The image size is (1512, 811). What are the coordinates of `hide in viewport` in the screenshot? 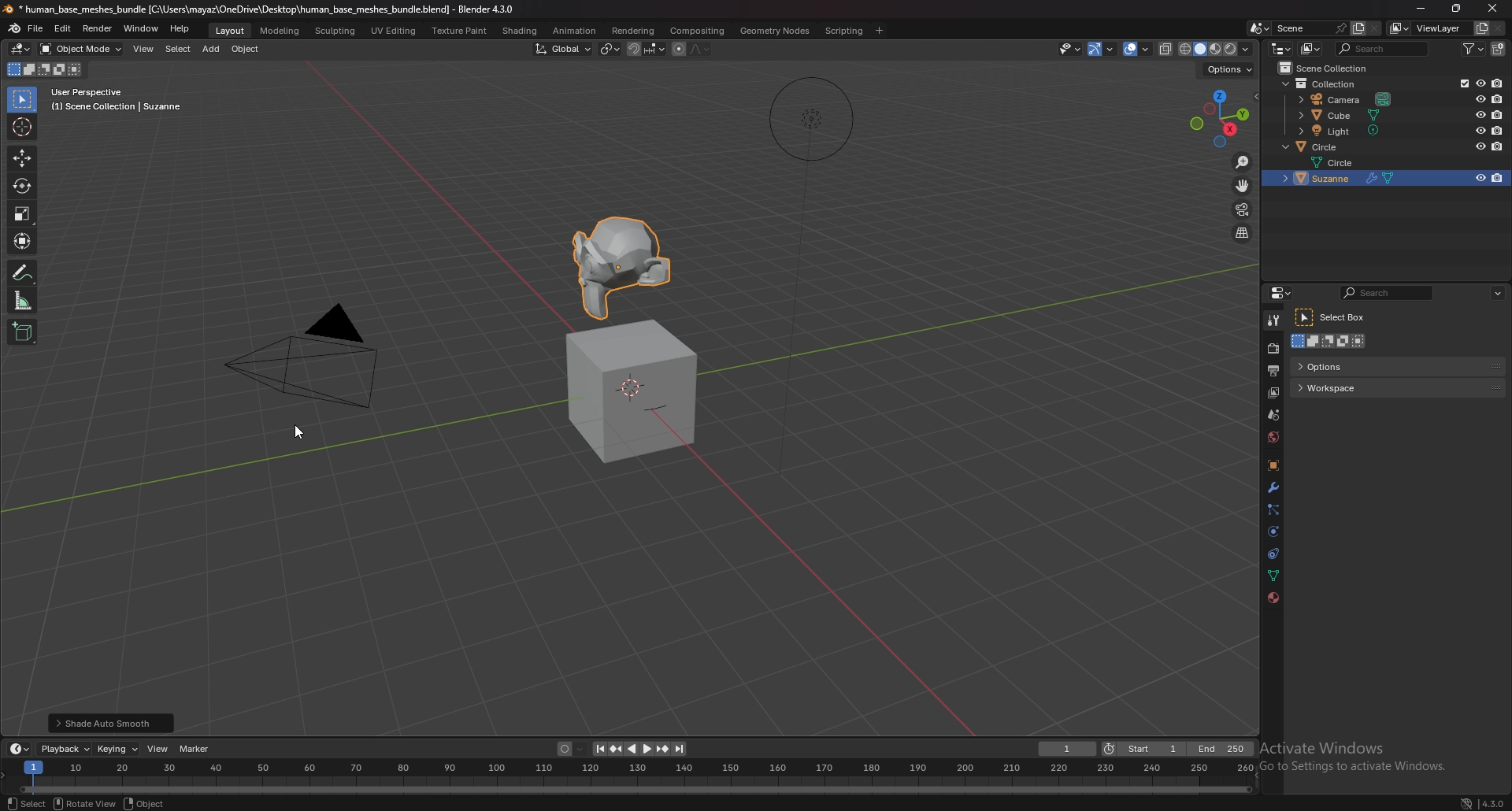 It's located at (1479, 130).